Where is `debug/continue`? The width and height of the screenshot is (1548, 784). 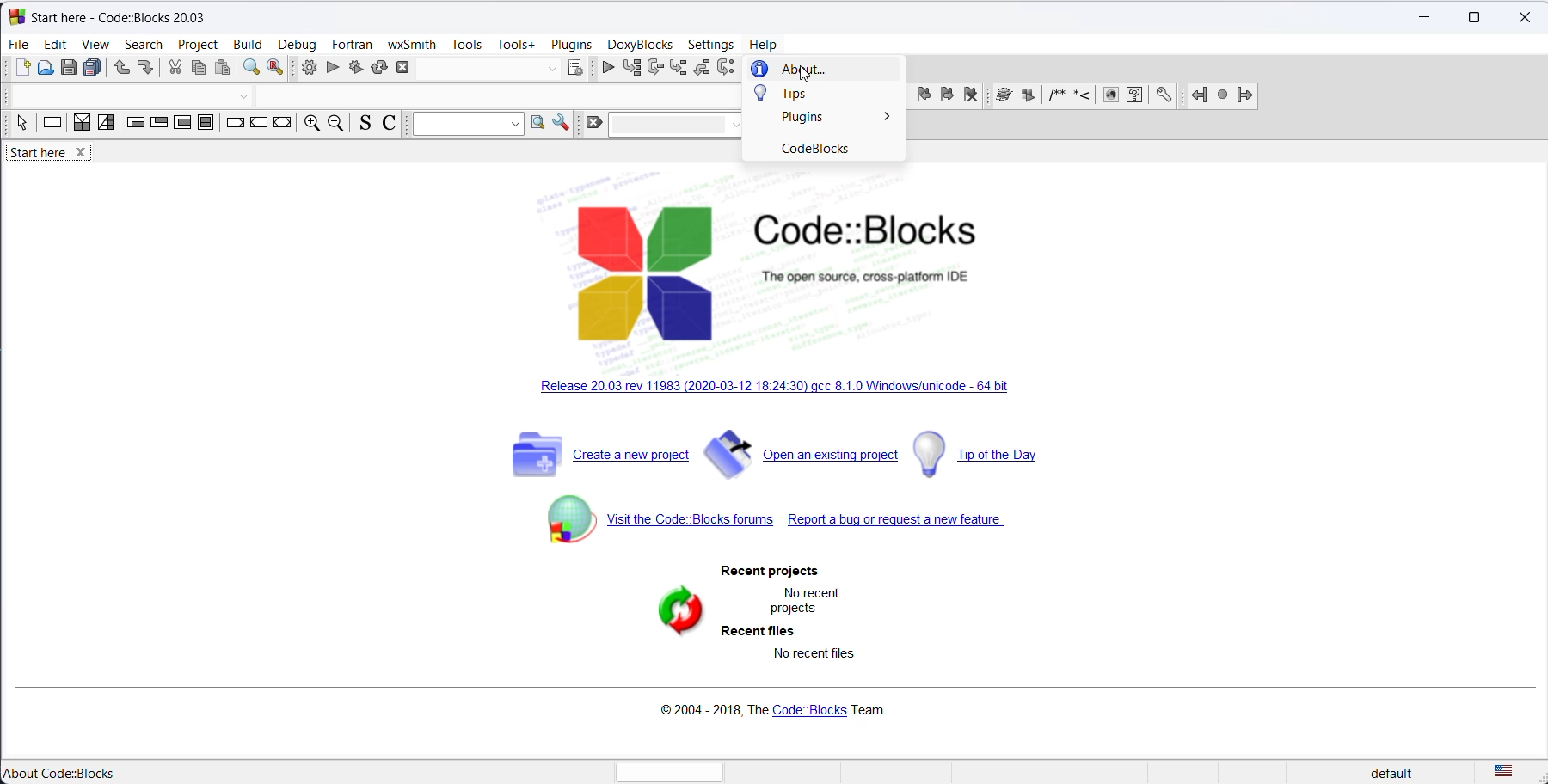
debug/continue is located at coordinates (610, 69).